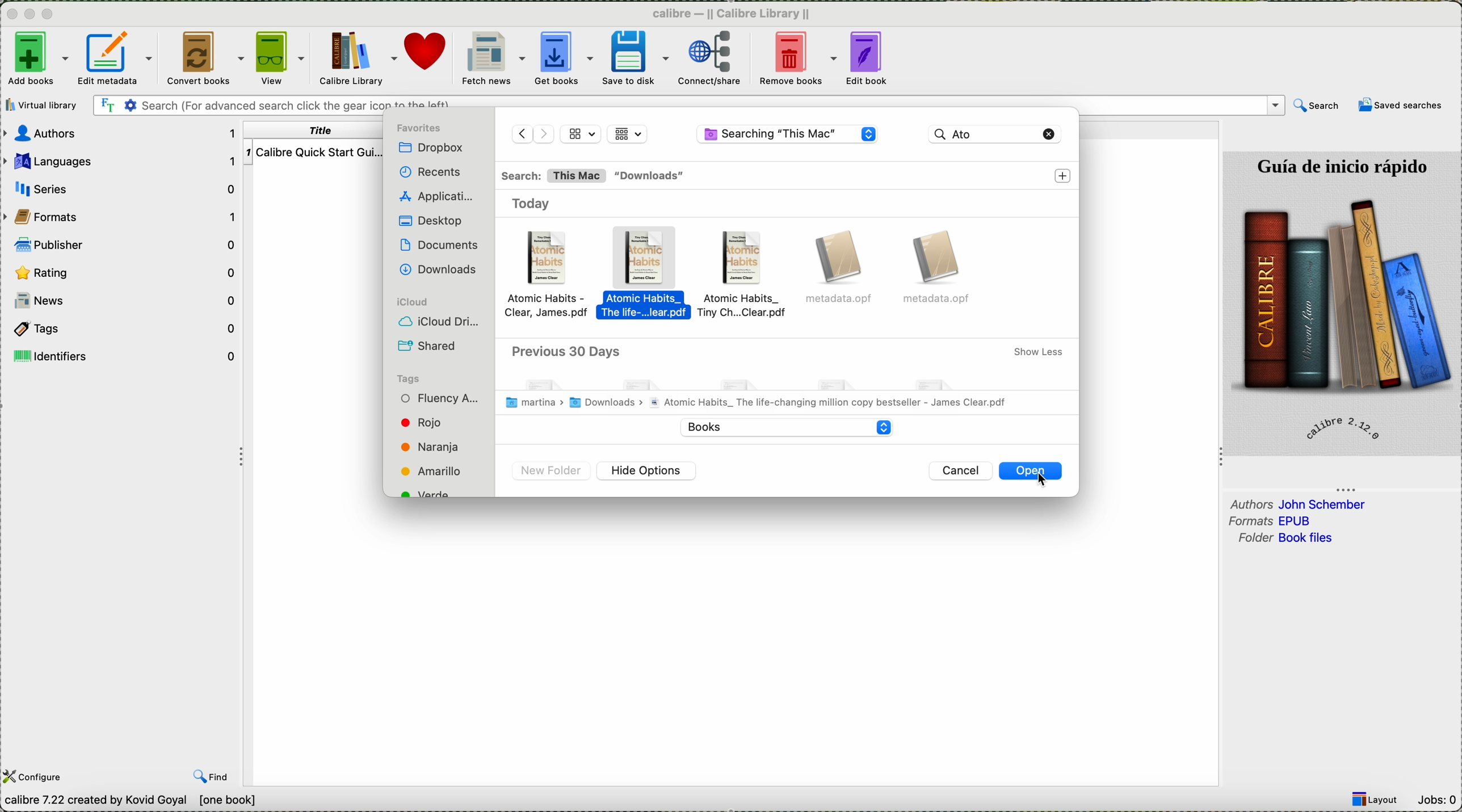 Image resolution: width=1462 pixels, height=812 pixels. Describe the element at coordinates (788, 377) in the screenshot. I see `disable files` at that location.